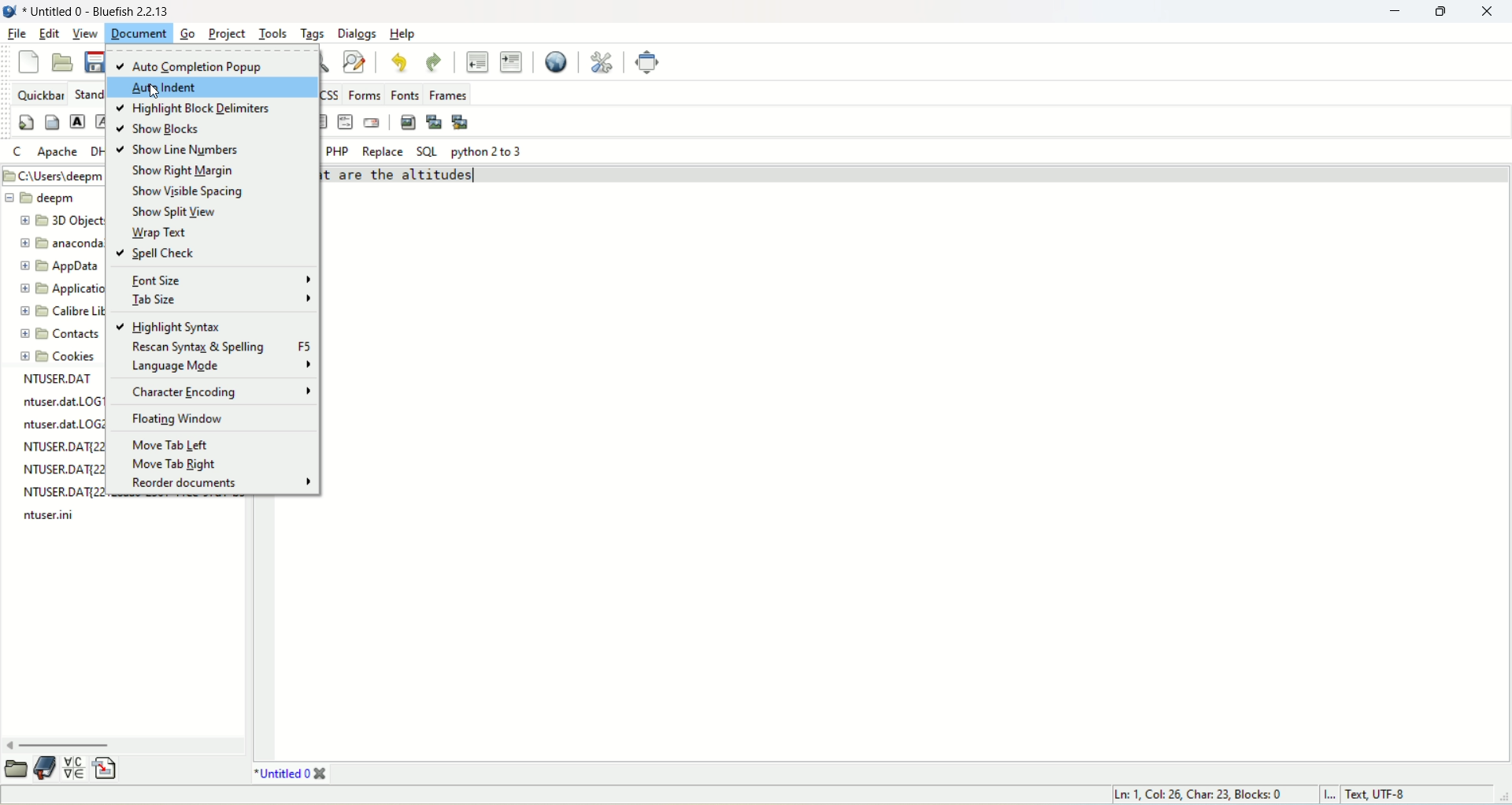  What do you see at coordinates (61, 356) in the screenshot?
I see `cookies` at bounding box center [61, 356].